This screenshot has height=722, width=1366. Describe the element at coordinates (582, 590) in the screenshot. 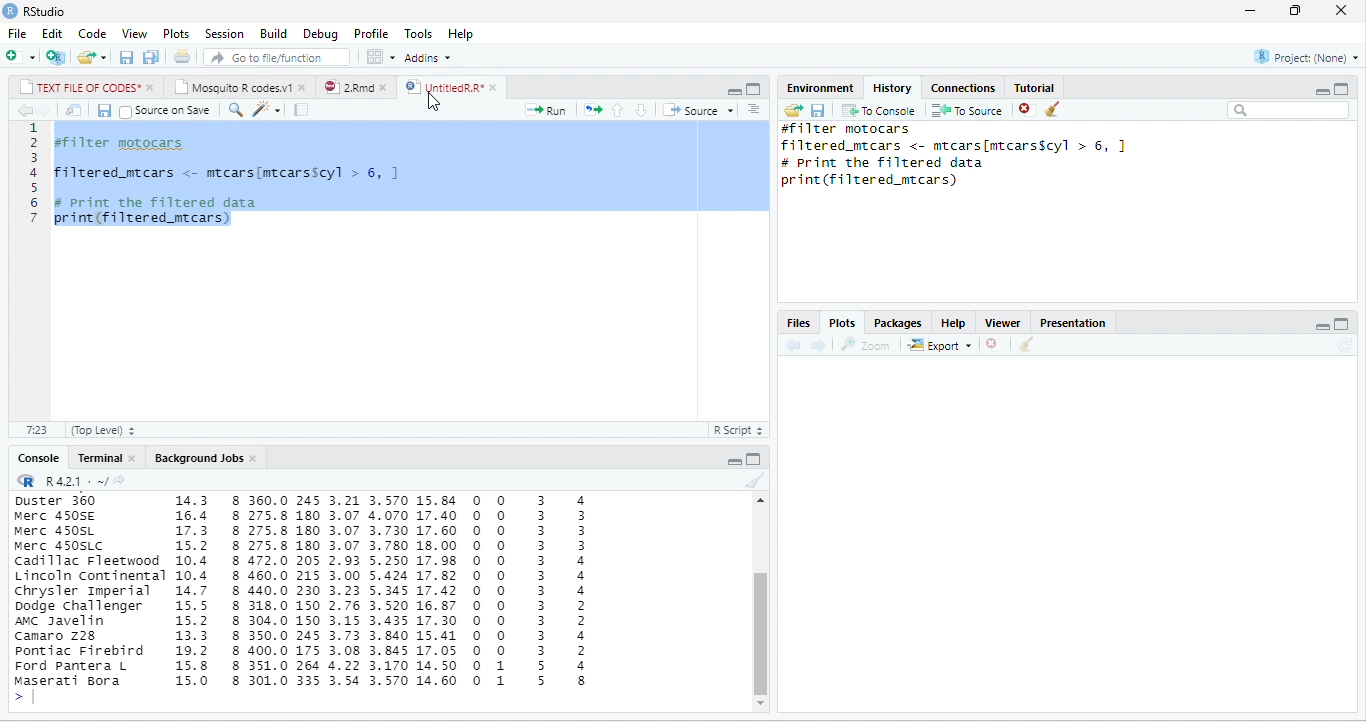

I see `4333444224248` at that location.